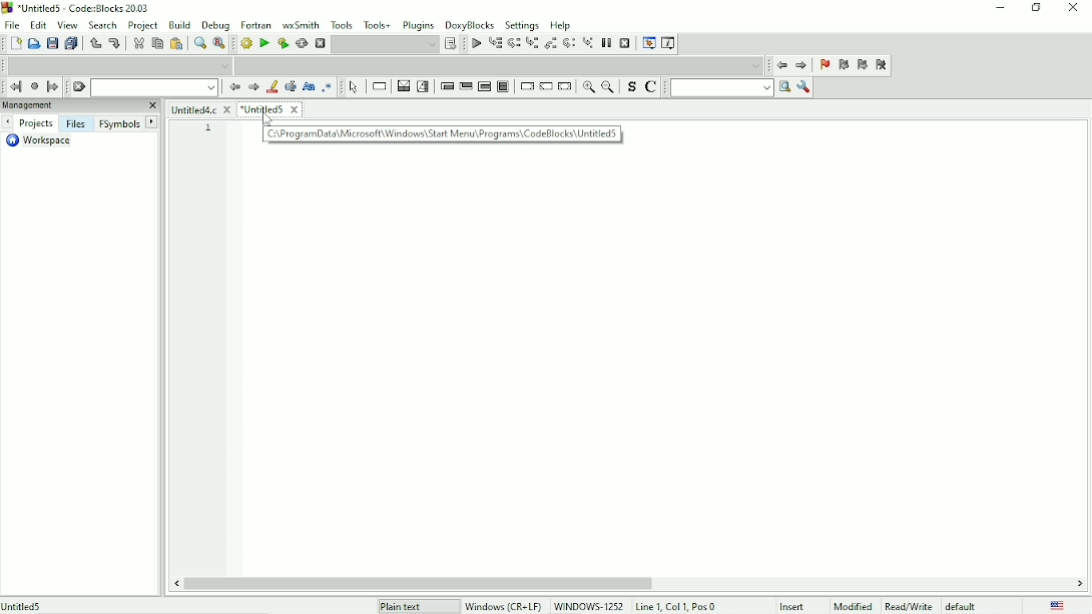 This screenshot has height=614, width=1092. What do you see at coordinates (291, 86) in the screenshot?
I see `Selected text` at bounding box center [291, 86].